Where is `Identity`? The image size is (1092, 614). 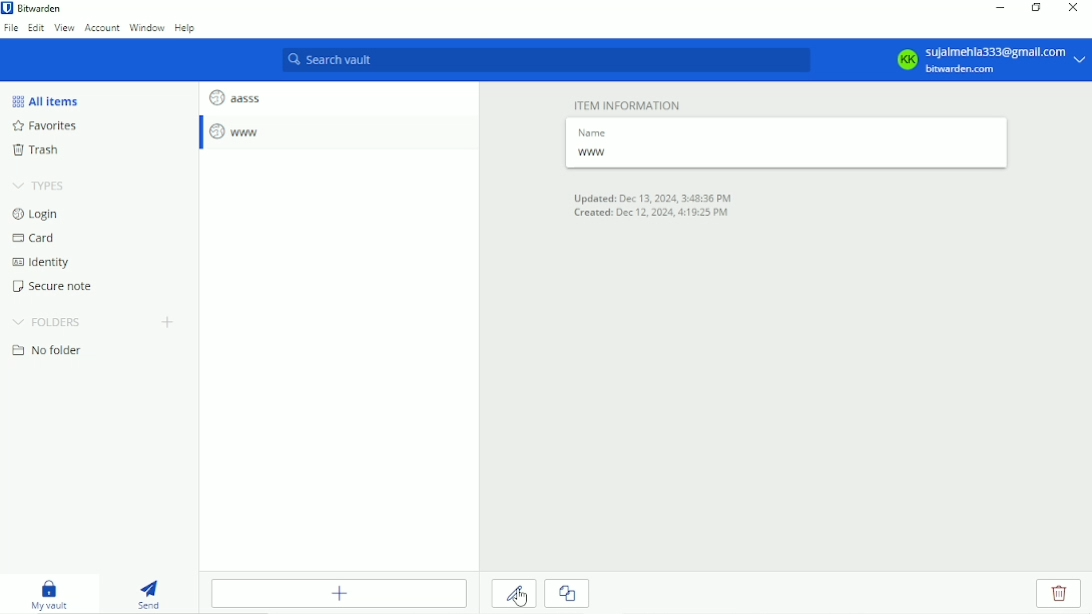 Identity is located at coordinates (40, 263).